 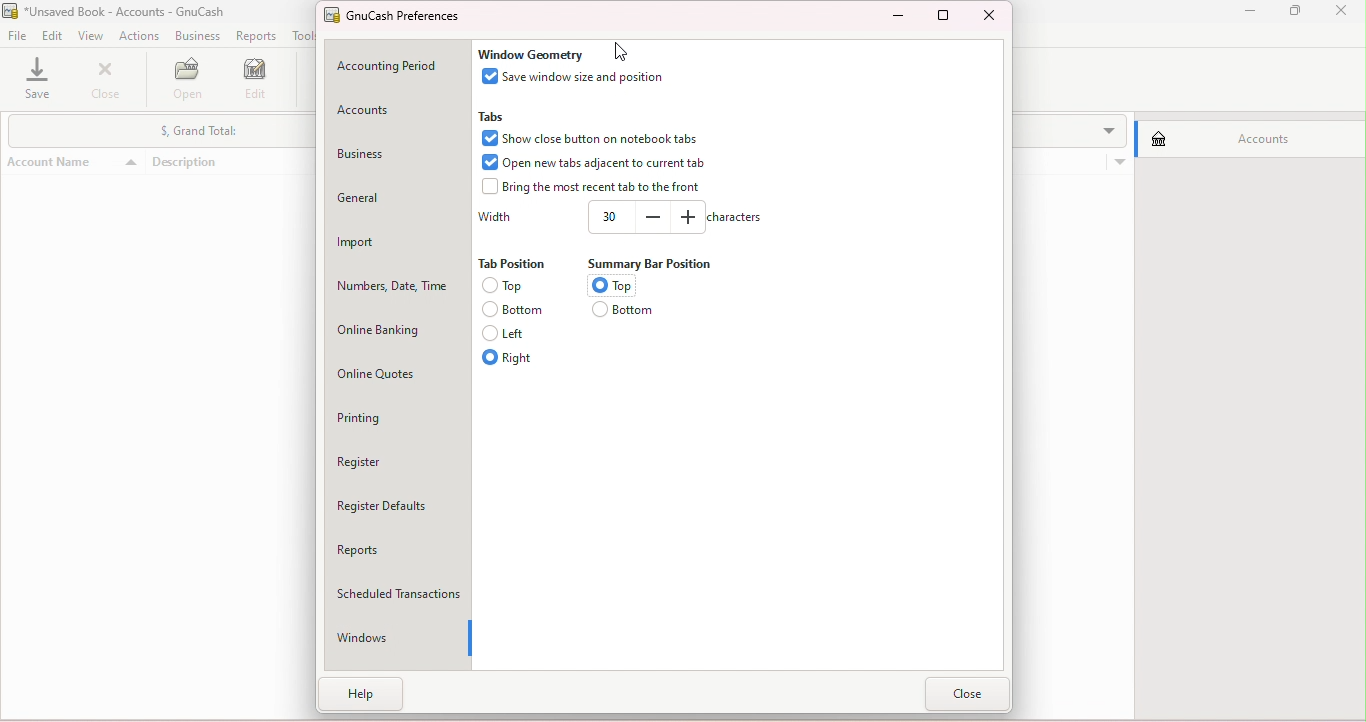 What do you see at coordinates (519, 358) in the screenshot?
I see `Right` at bounding box center [519, 358].